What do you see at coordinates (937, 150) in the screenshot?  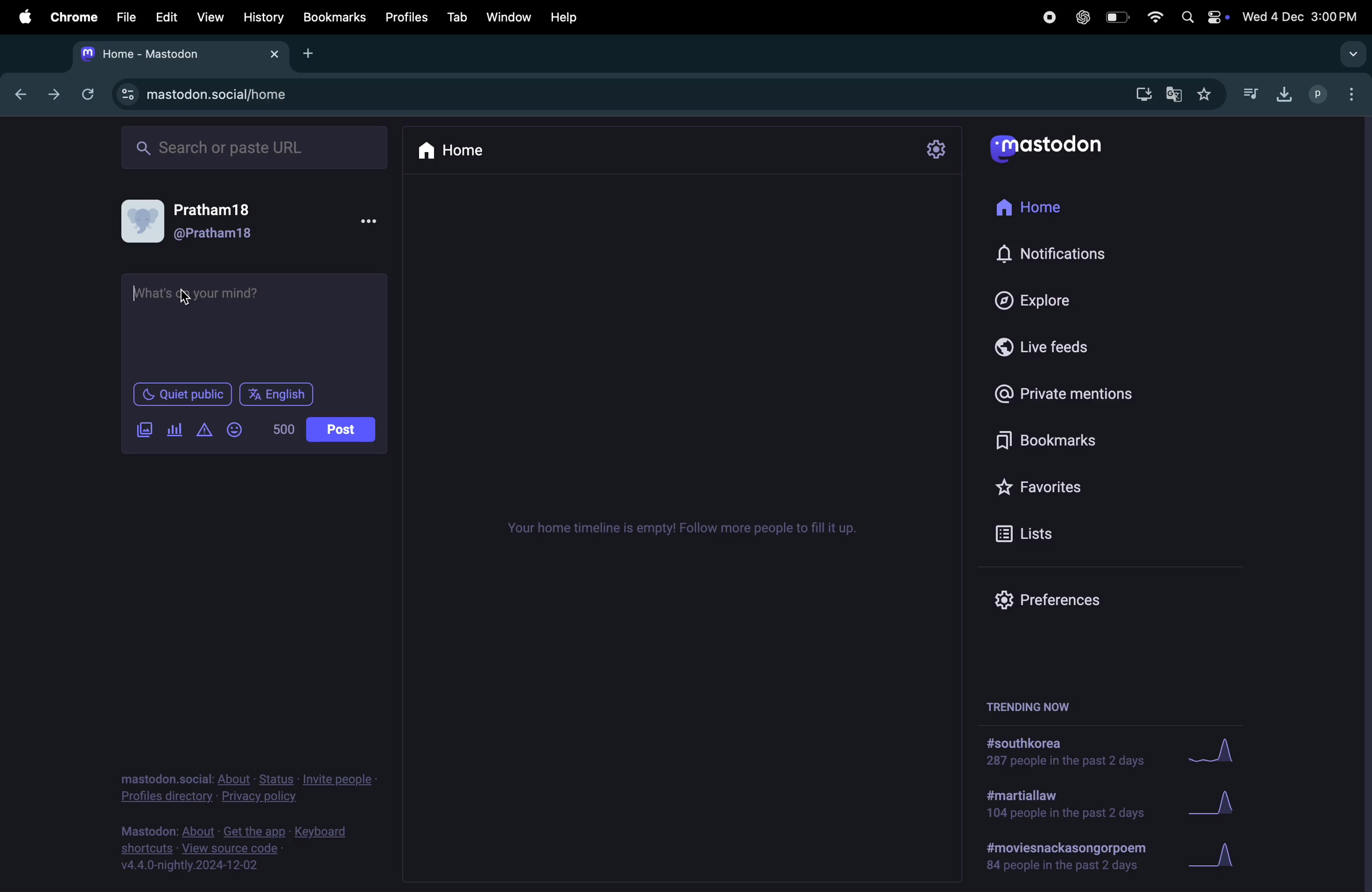 I see `settings` at bounding box center [937, 150].